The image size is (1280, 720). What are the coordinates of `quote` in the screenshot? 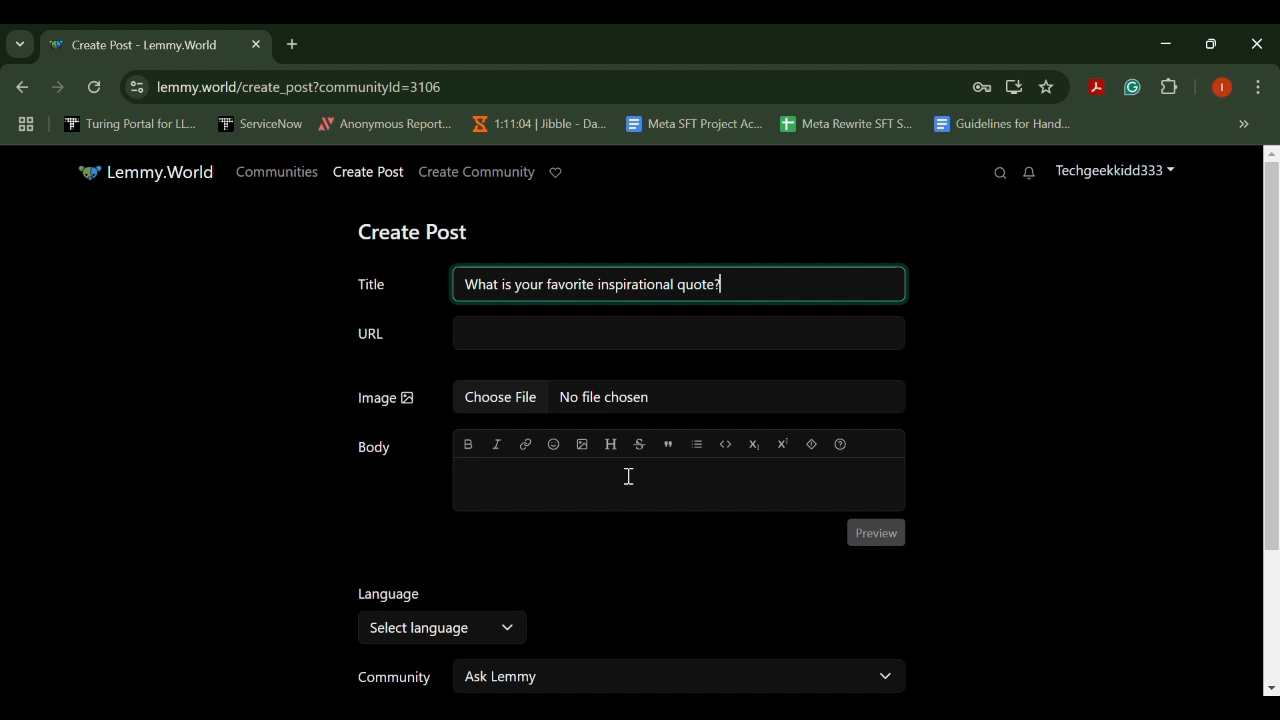 It's located at (667, 442).